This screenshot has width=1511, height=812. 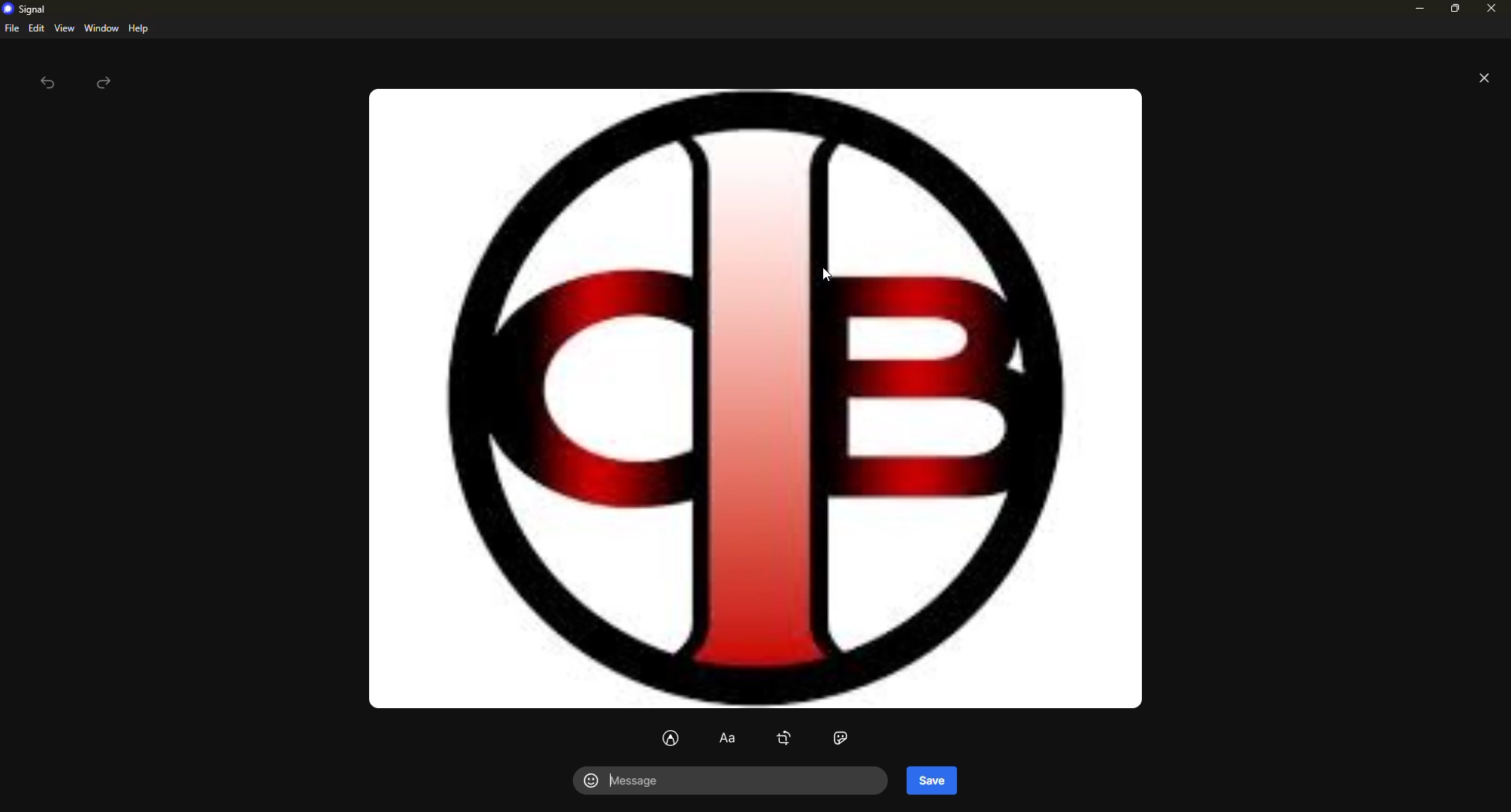 I want to click on aspect ratio, so click(x=841, y=738).